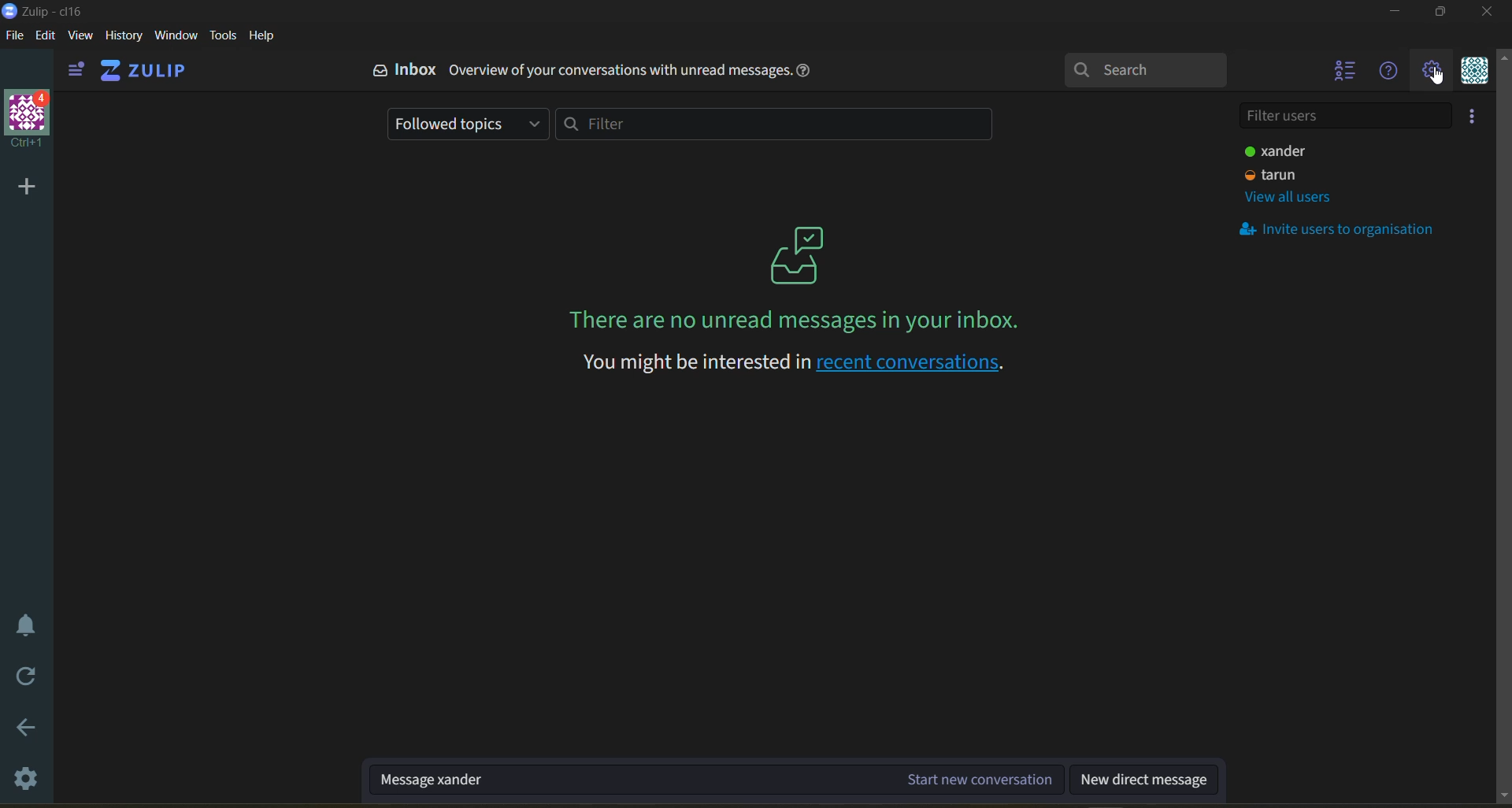  I want to click on followed topics, so click(469, 123).